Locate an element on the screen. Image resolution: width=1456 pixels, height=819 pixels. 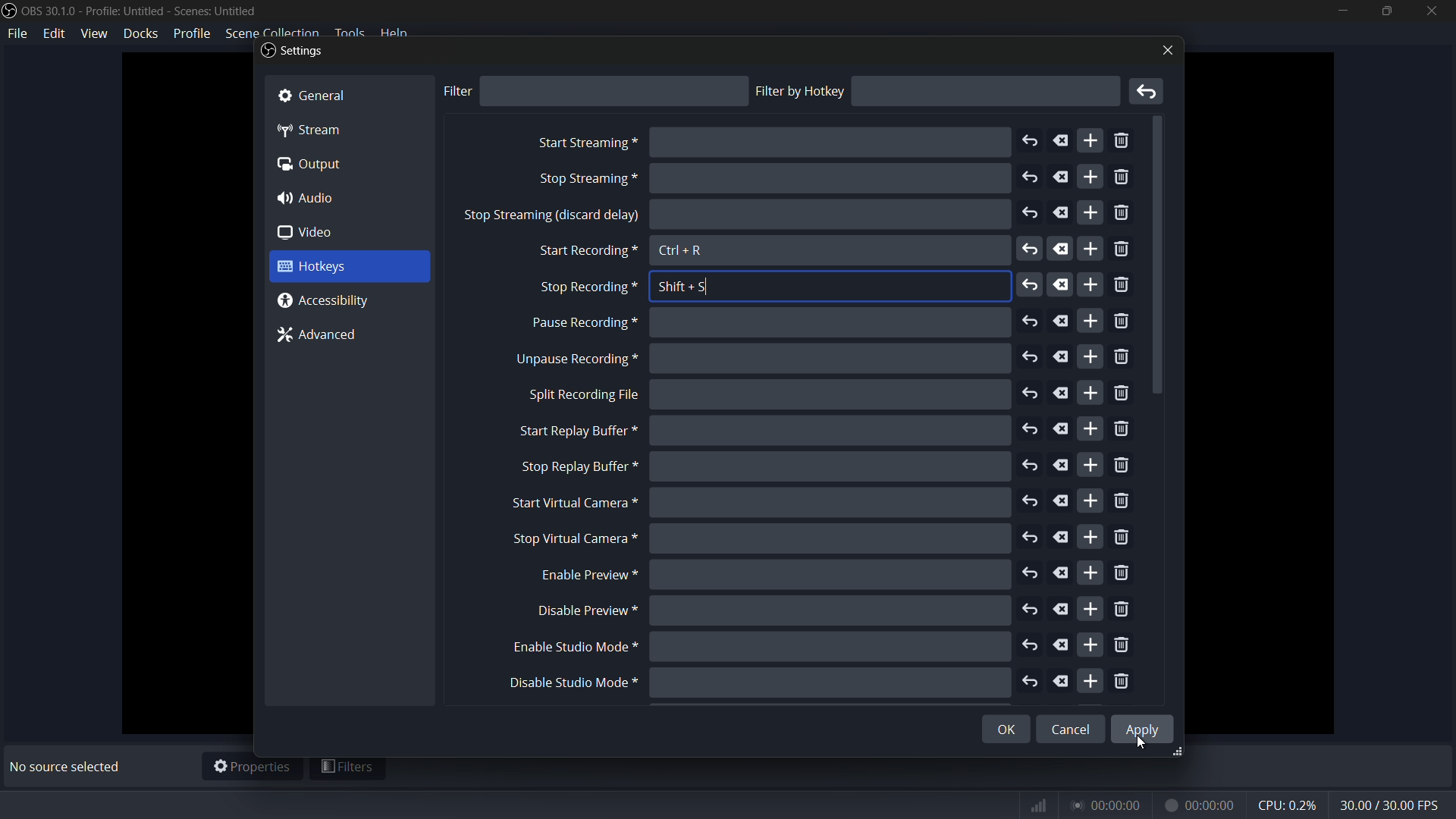
4) Audio is located at coordinates (315, 198).